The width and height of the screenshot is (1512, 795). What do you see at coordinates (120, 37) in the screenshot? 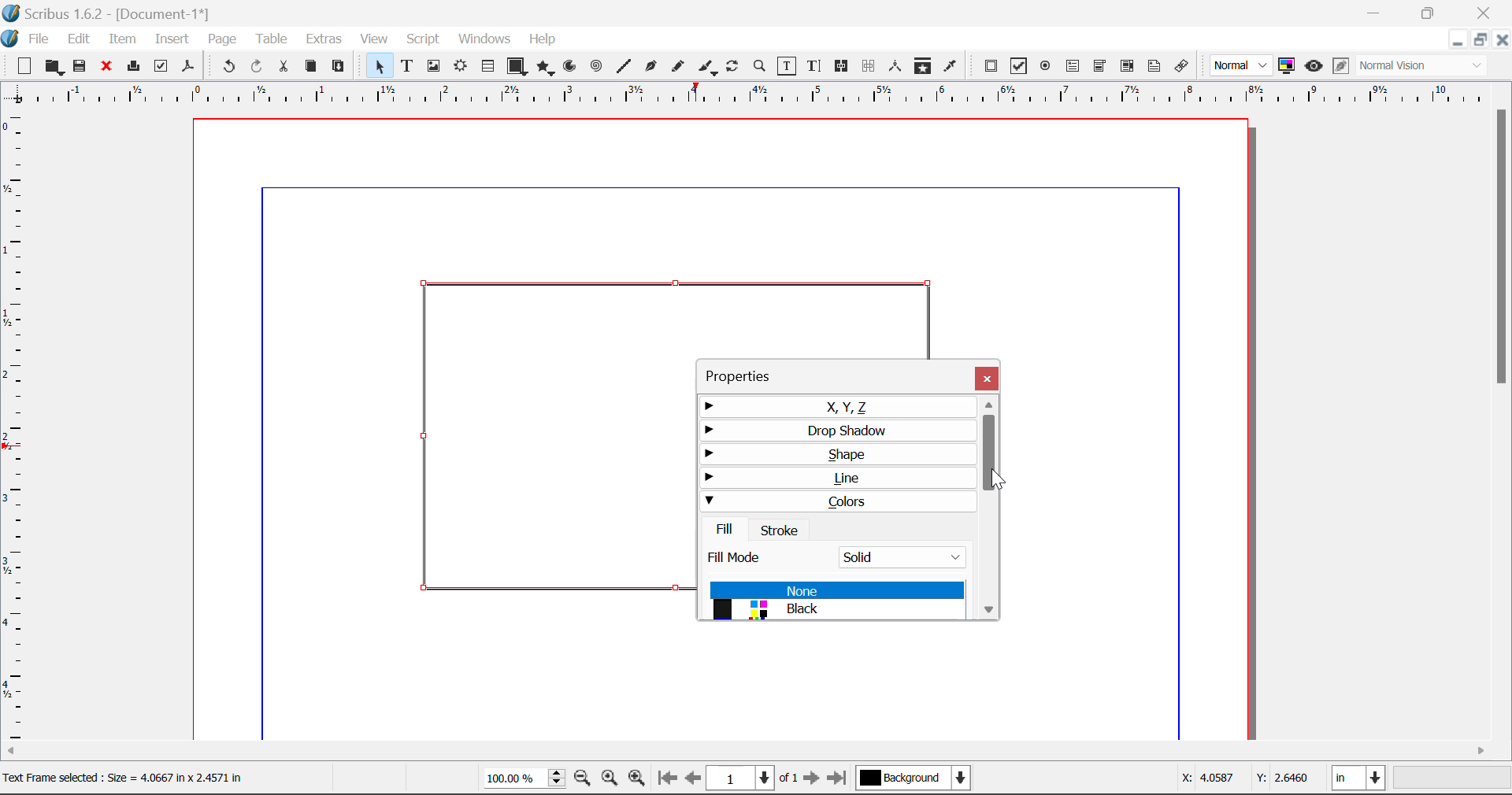
I see `Item` at bounding box center [120, 37].